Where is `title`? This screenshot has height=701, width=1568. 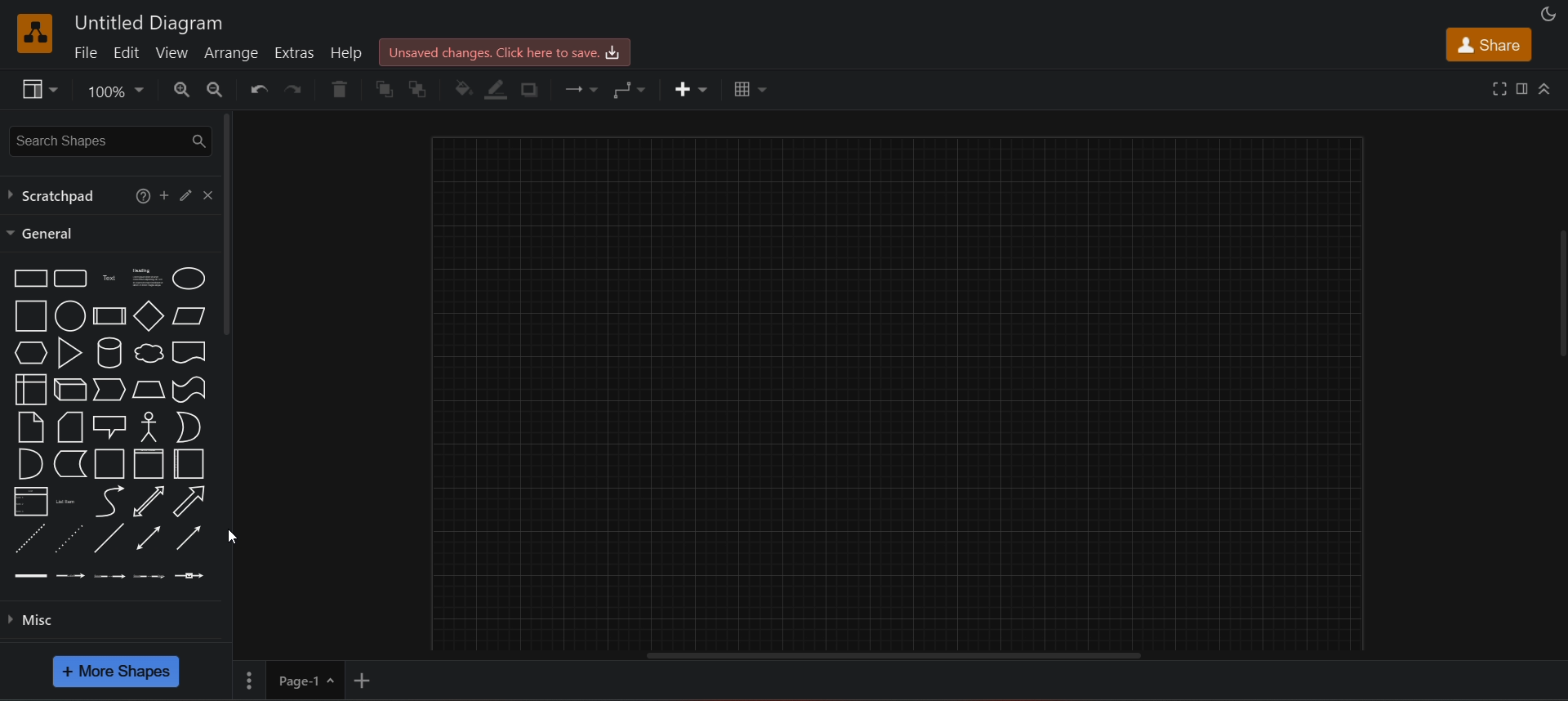
title is located at coordinates (148, 21).